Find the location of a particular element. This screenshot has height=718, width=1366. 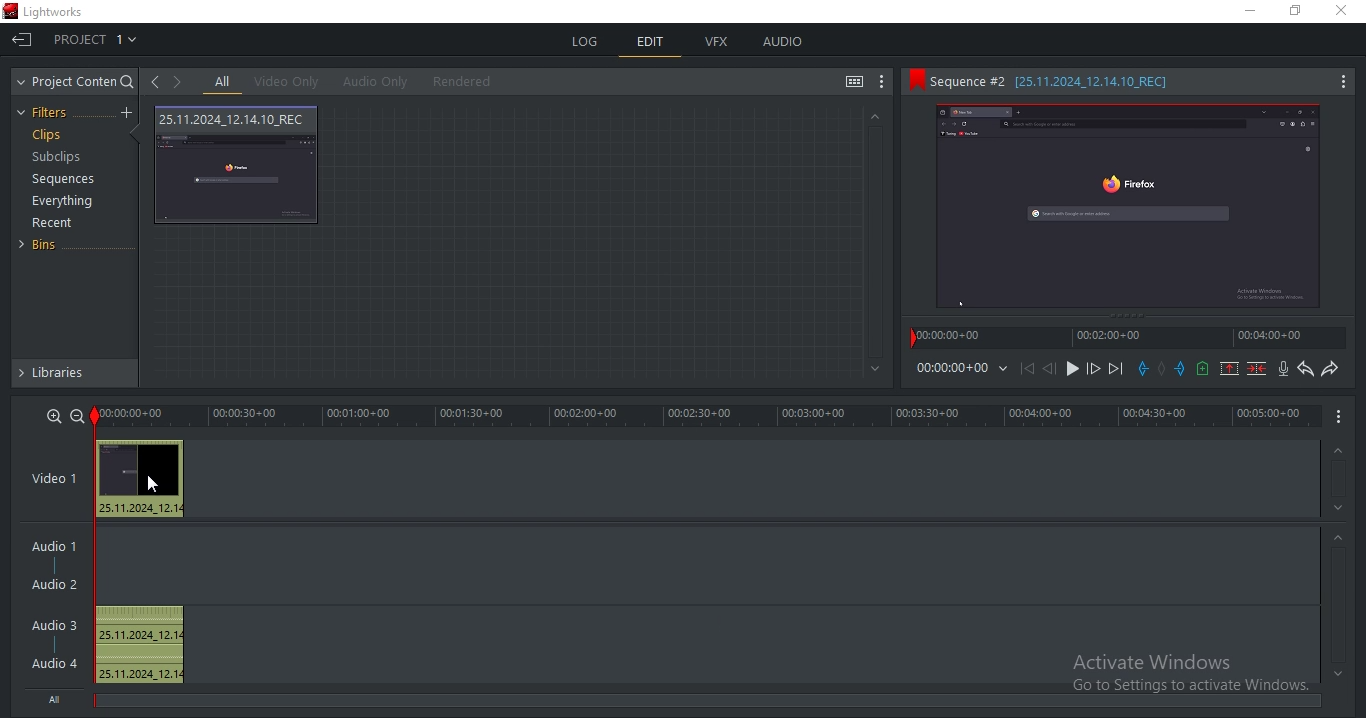

record audio is located at coordinates (1282, 370).